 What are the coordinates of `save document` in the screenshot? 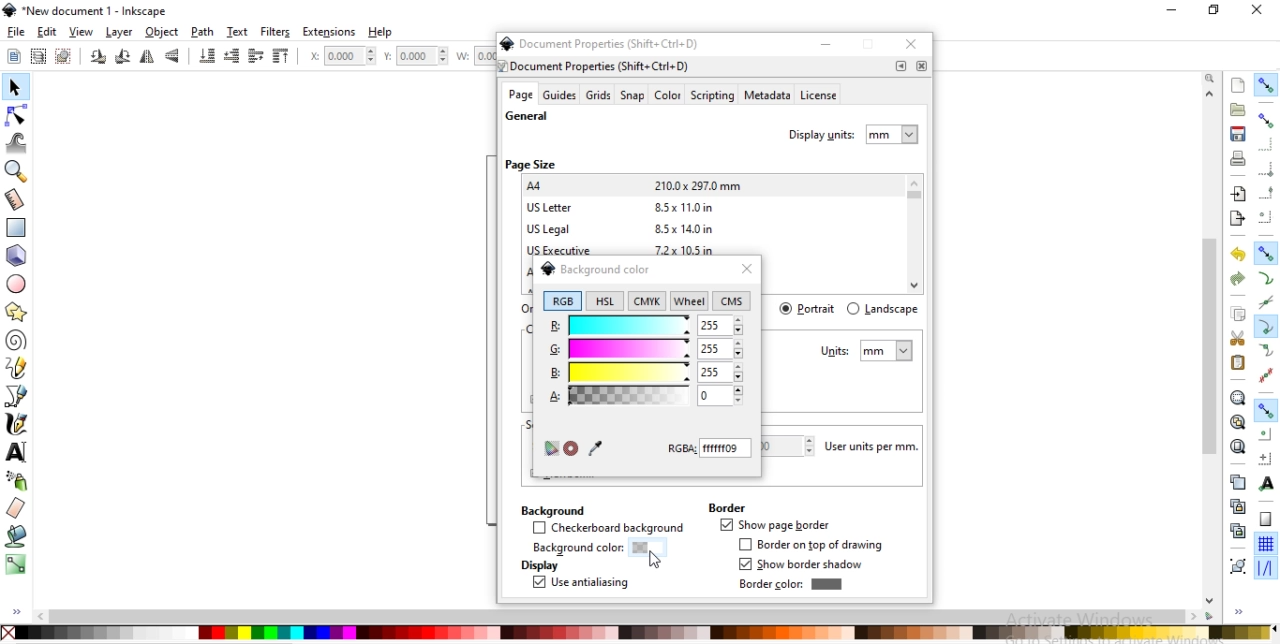 It's located at (1238, 134).